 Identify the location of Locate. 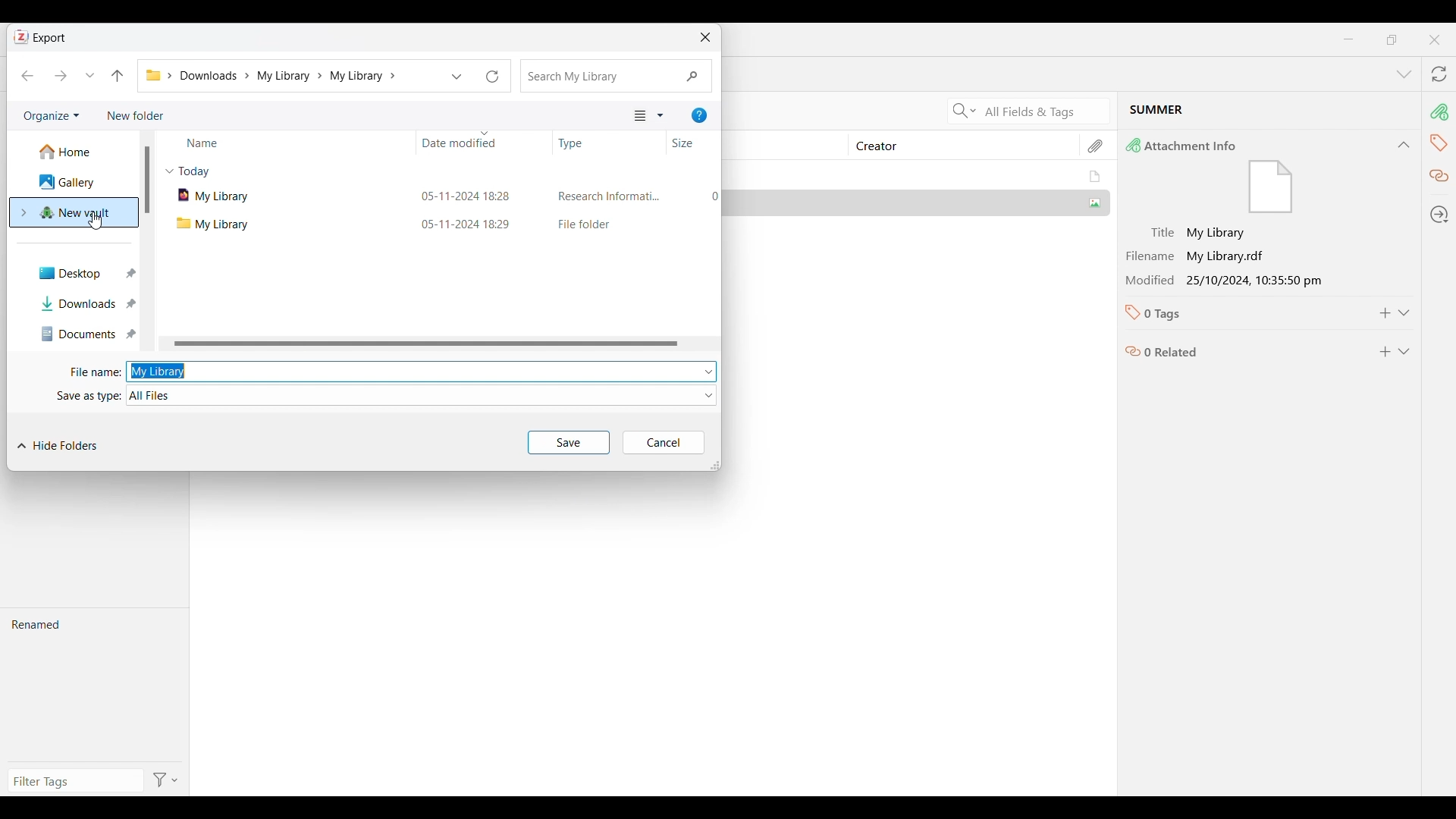
(1440, 214).